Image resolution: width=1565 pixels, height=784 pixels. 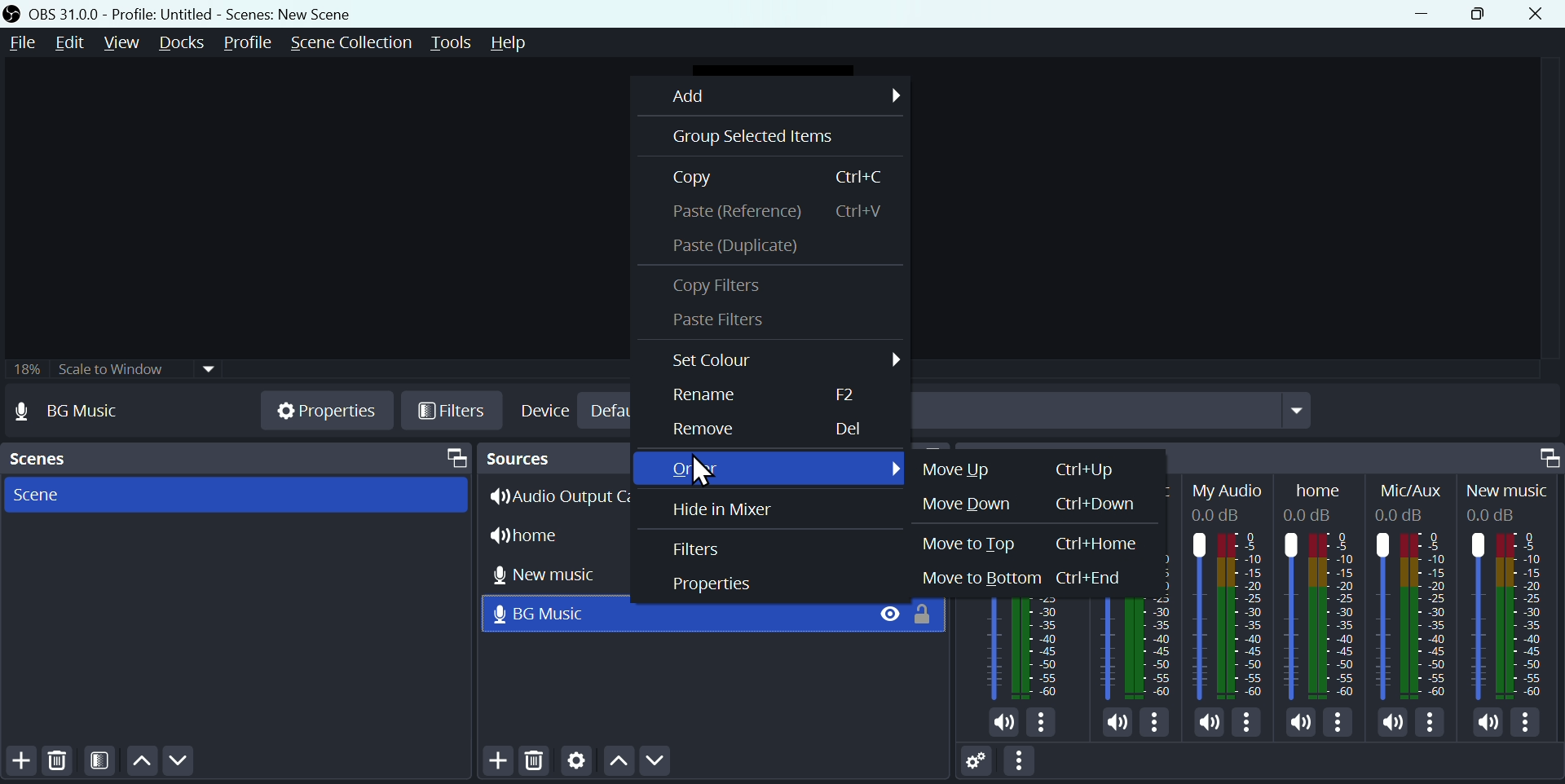 I want to click on More, so click(x=1045, y=724).